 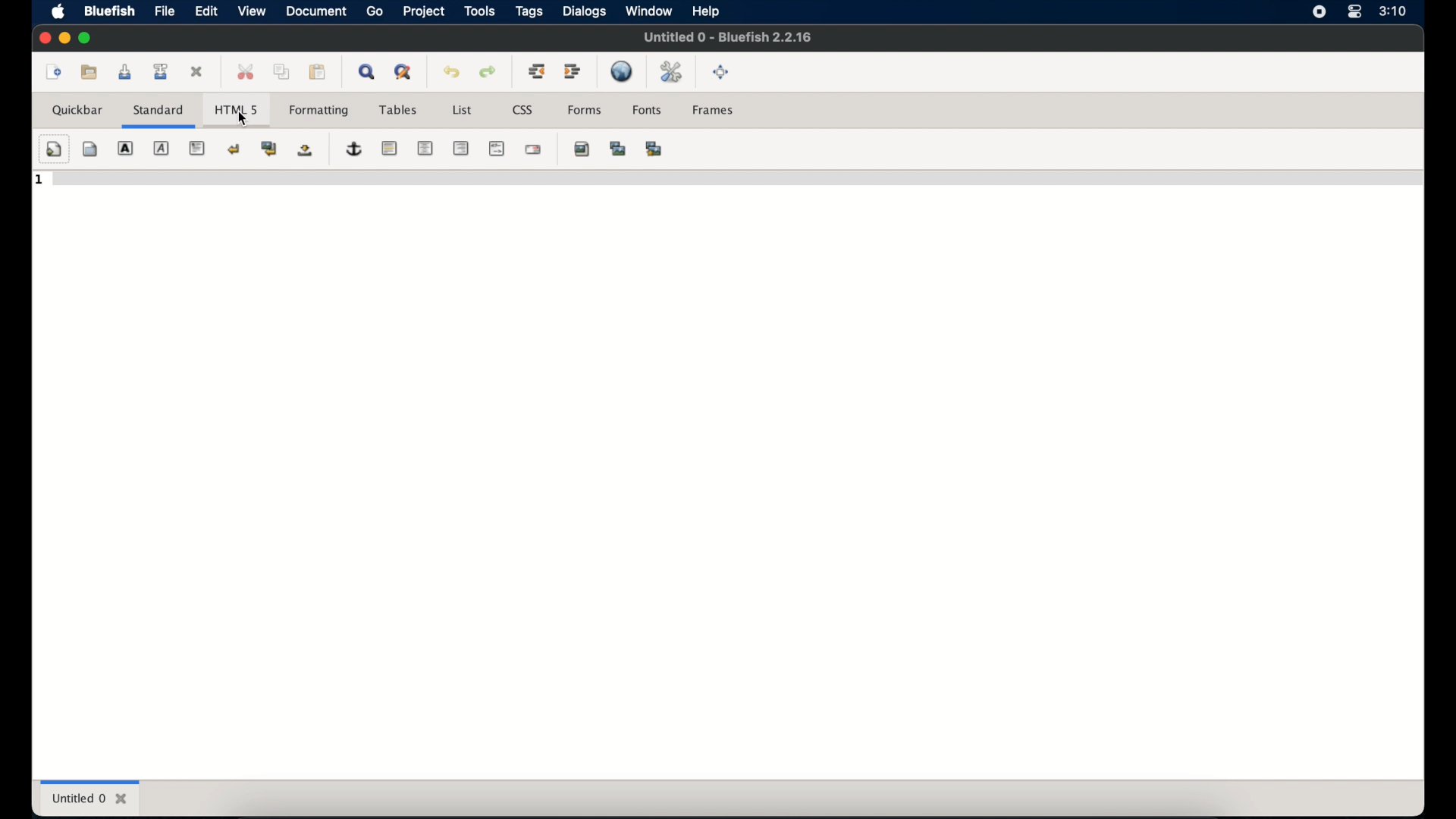 I want to click on emphasis, so click(x=162, y=149).